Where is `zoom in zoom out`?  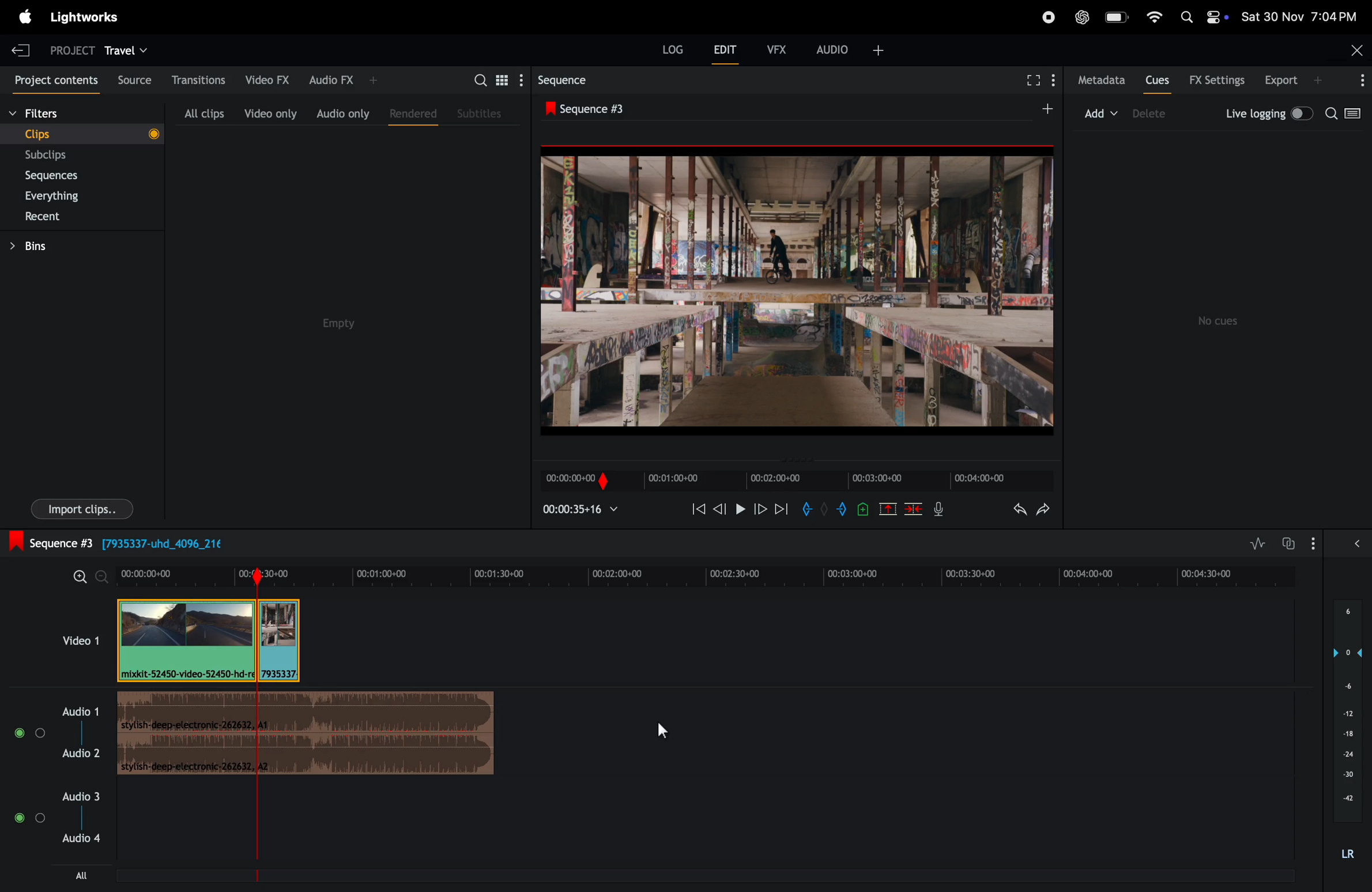
zoom in zoom out is located at coordinates (85, 577).